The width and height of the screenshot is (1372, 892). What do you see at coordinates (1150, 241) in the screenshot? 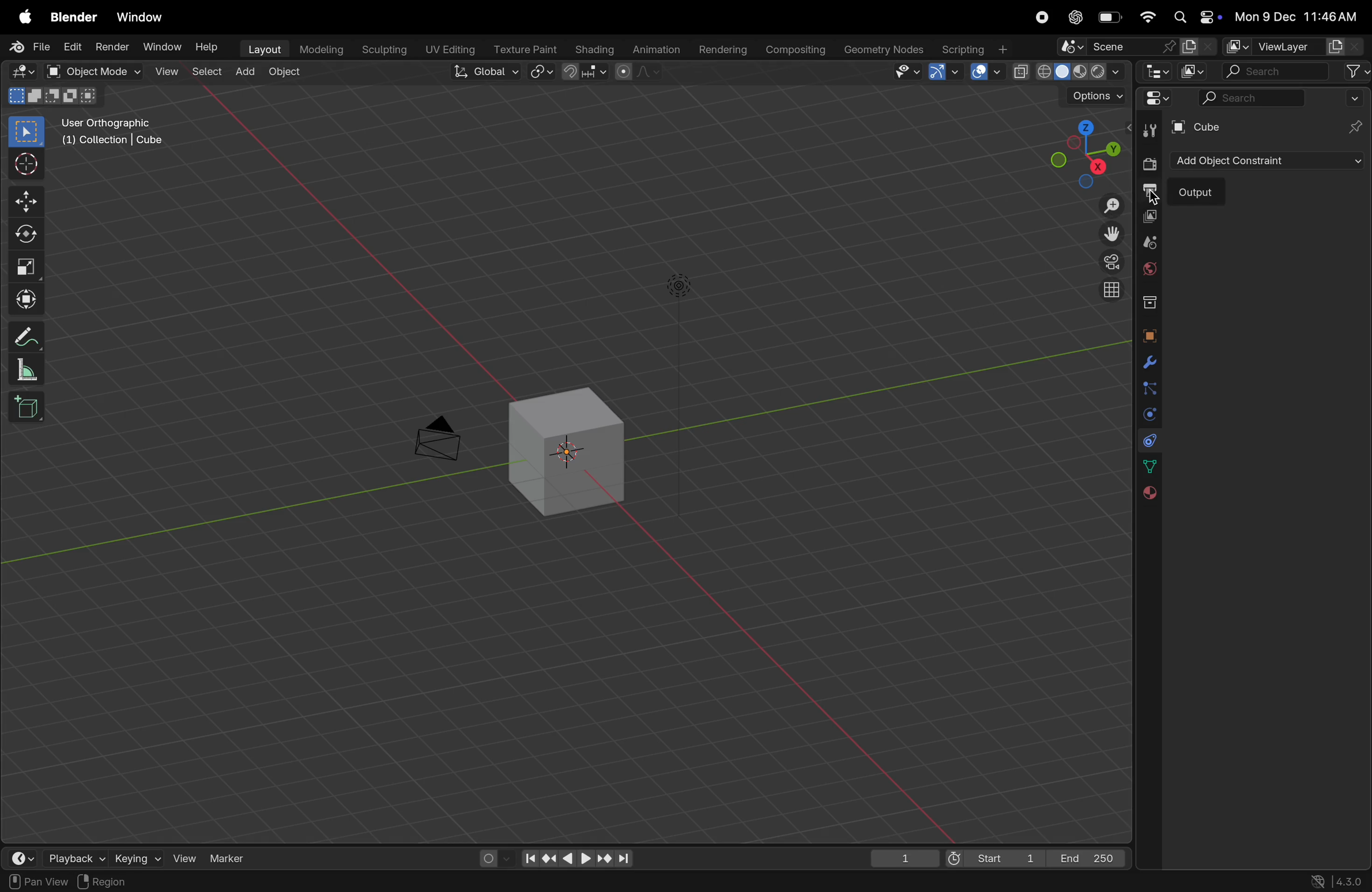
I see `scene` at bounding box center [1150, 241].